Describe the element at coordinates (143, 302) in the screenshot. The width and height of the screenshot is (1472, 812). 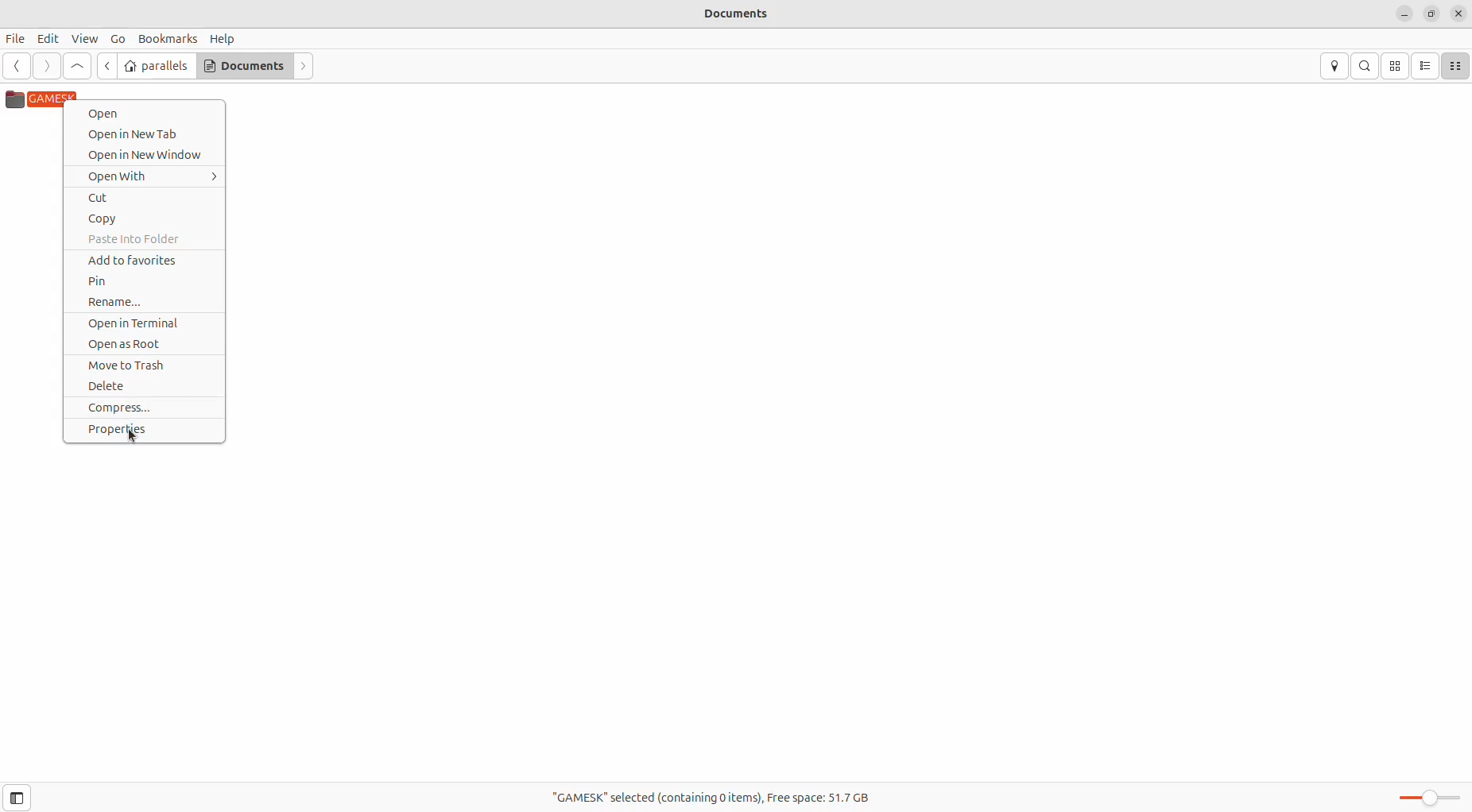
I see `rename` at that location.